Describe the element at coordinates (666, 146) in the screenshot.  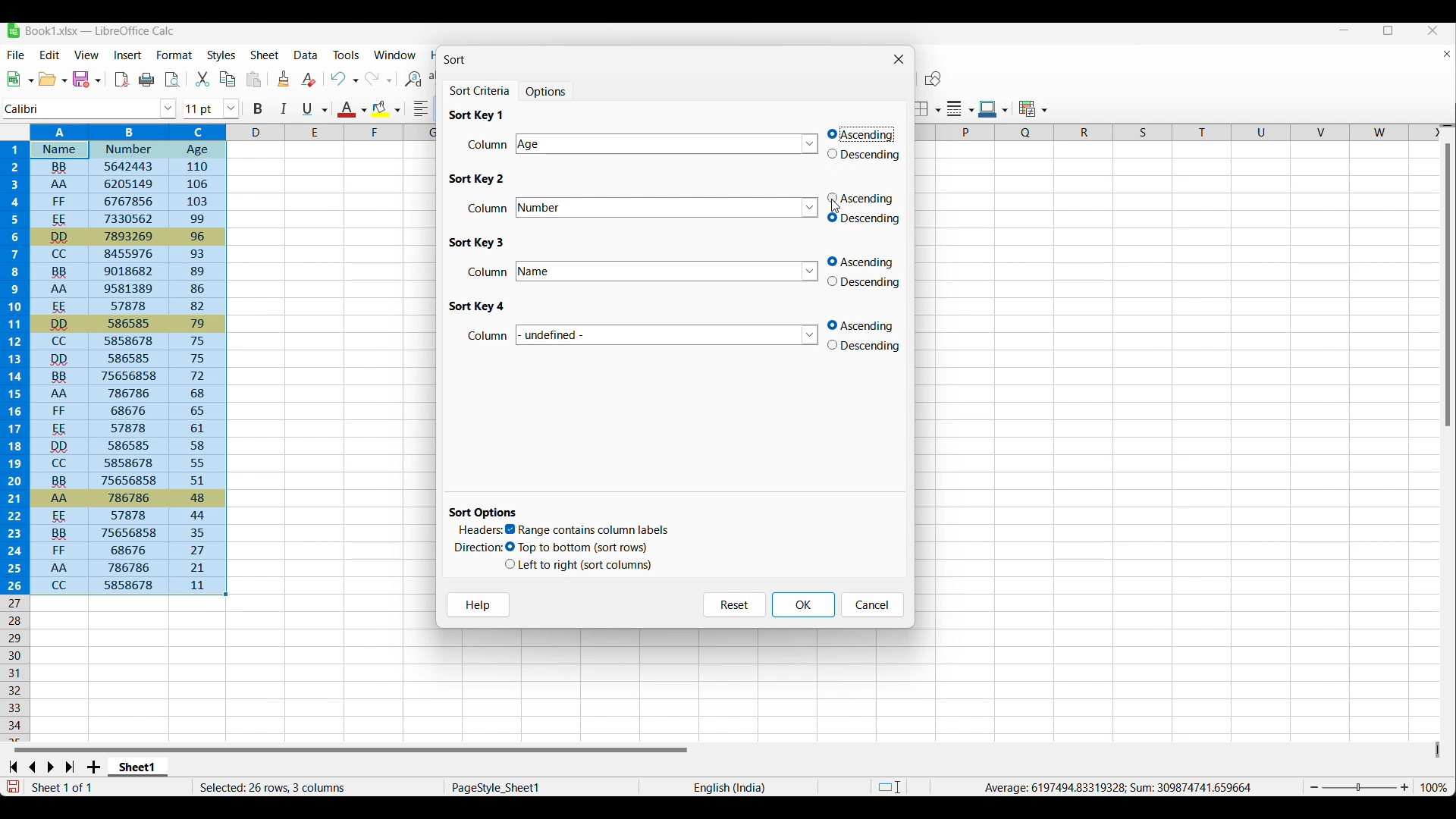
I see `column name` at that location.